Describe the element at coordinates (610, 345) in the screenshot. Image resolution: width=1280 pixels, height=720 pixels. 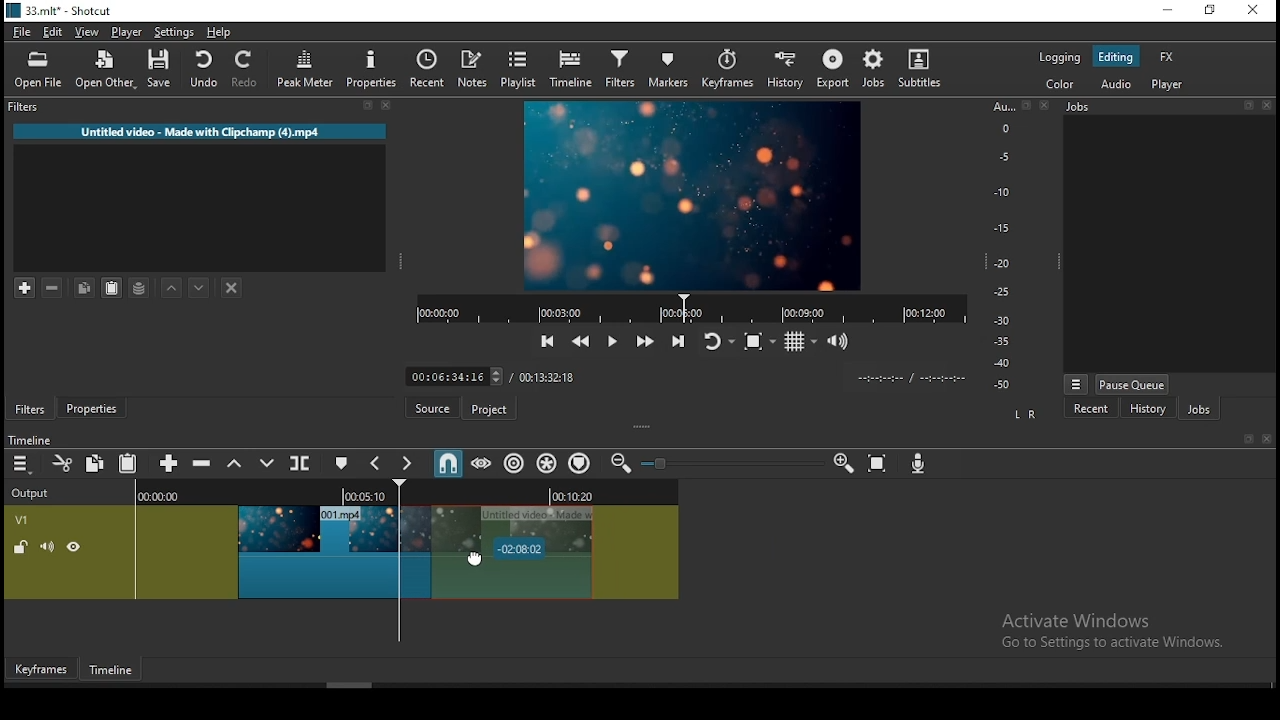
I see `play/pause` at that location.